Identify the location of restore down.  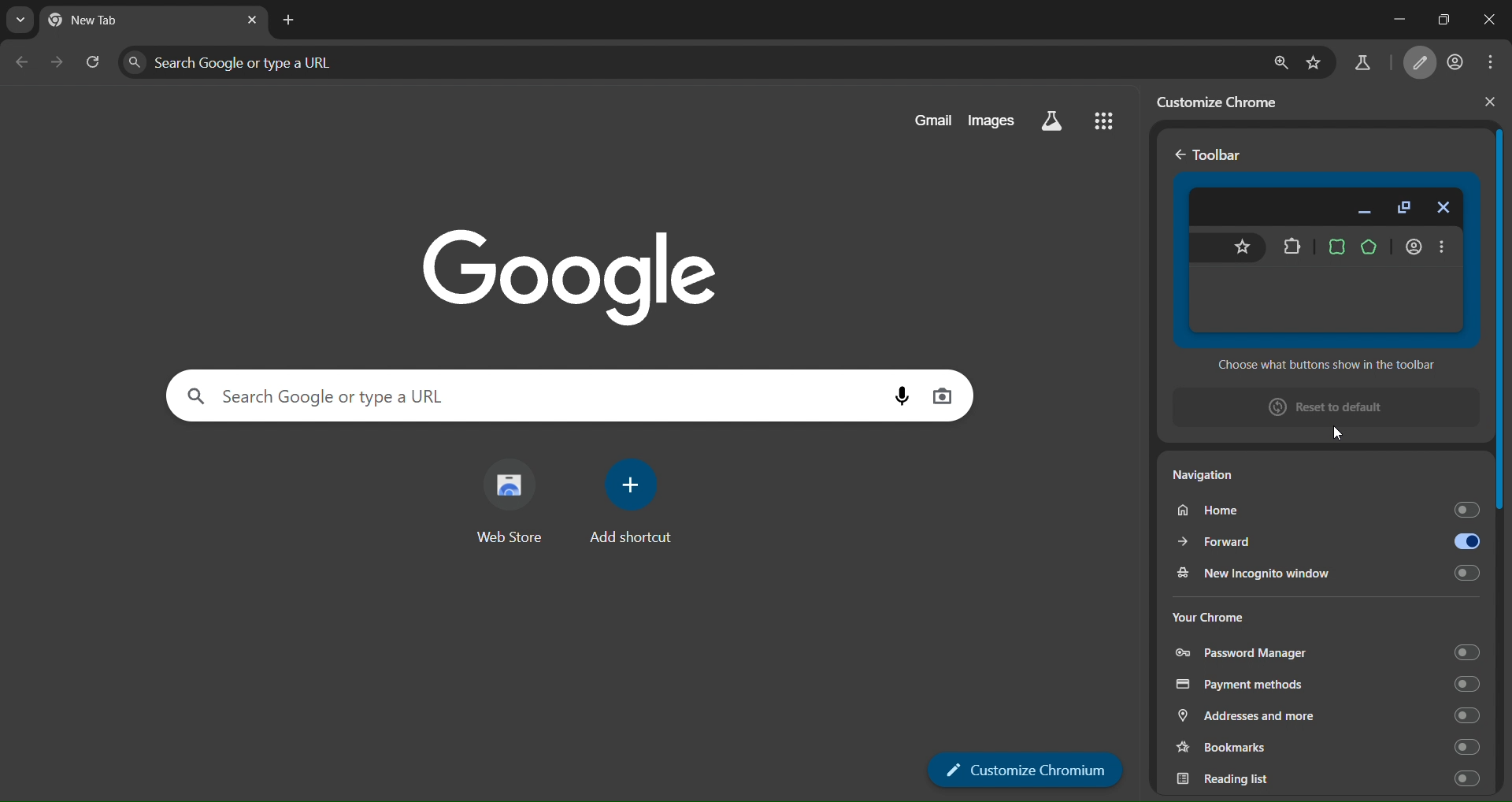
(1445, 20).